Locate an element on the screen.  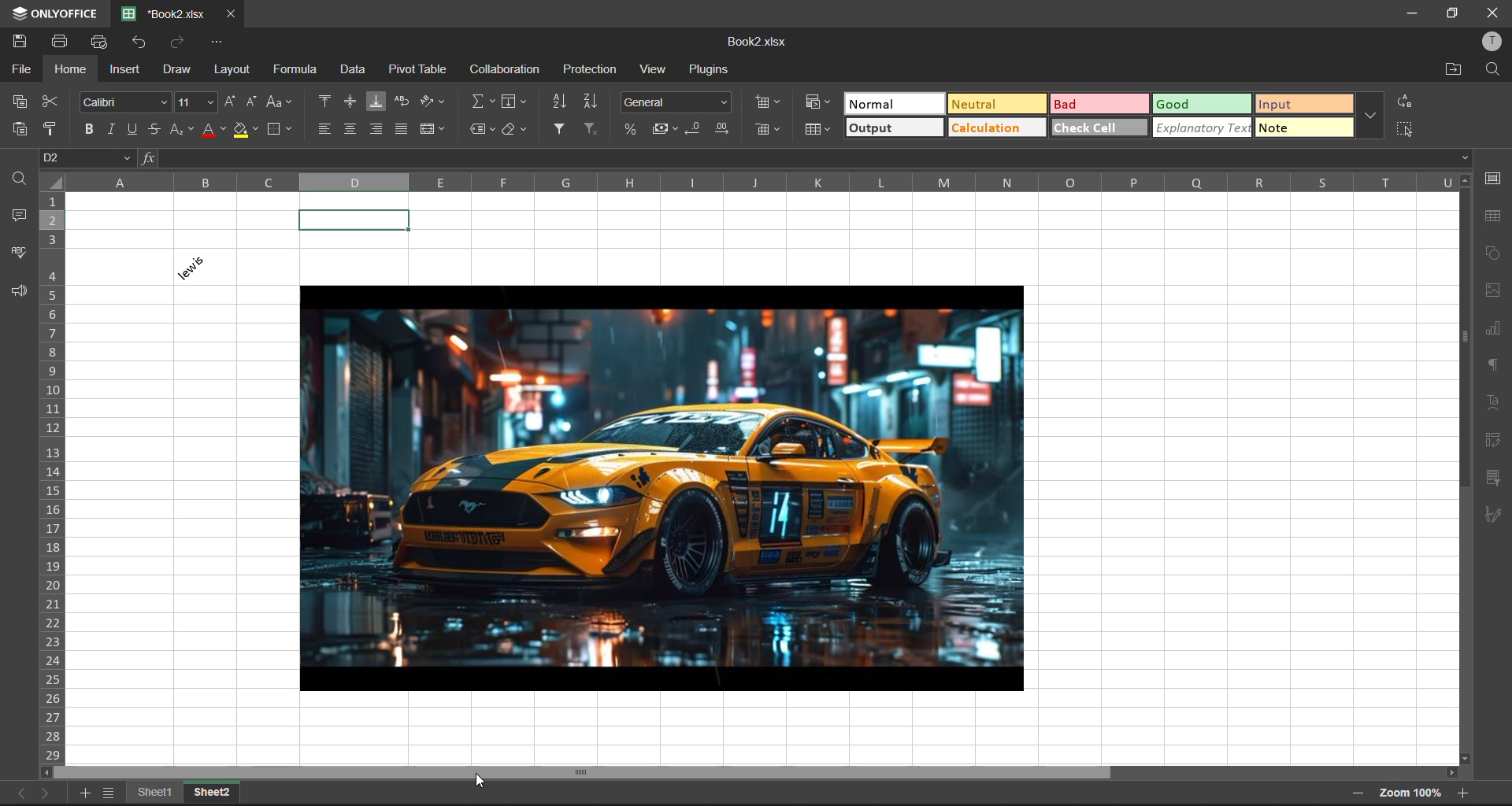
add sheet is located at coordinates (87, 794).